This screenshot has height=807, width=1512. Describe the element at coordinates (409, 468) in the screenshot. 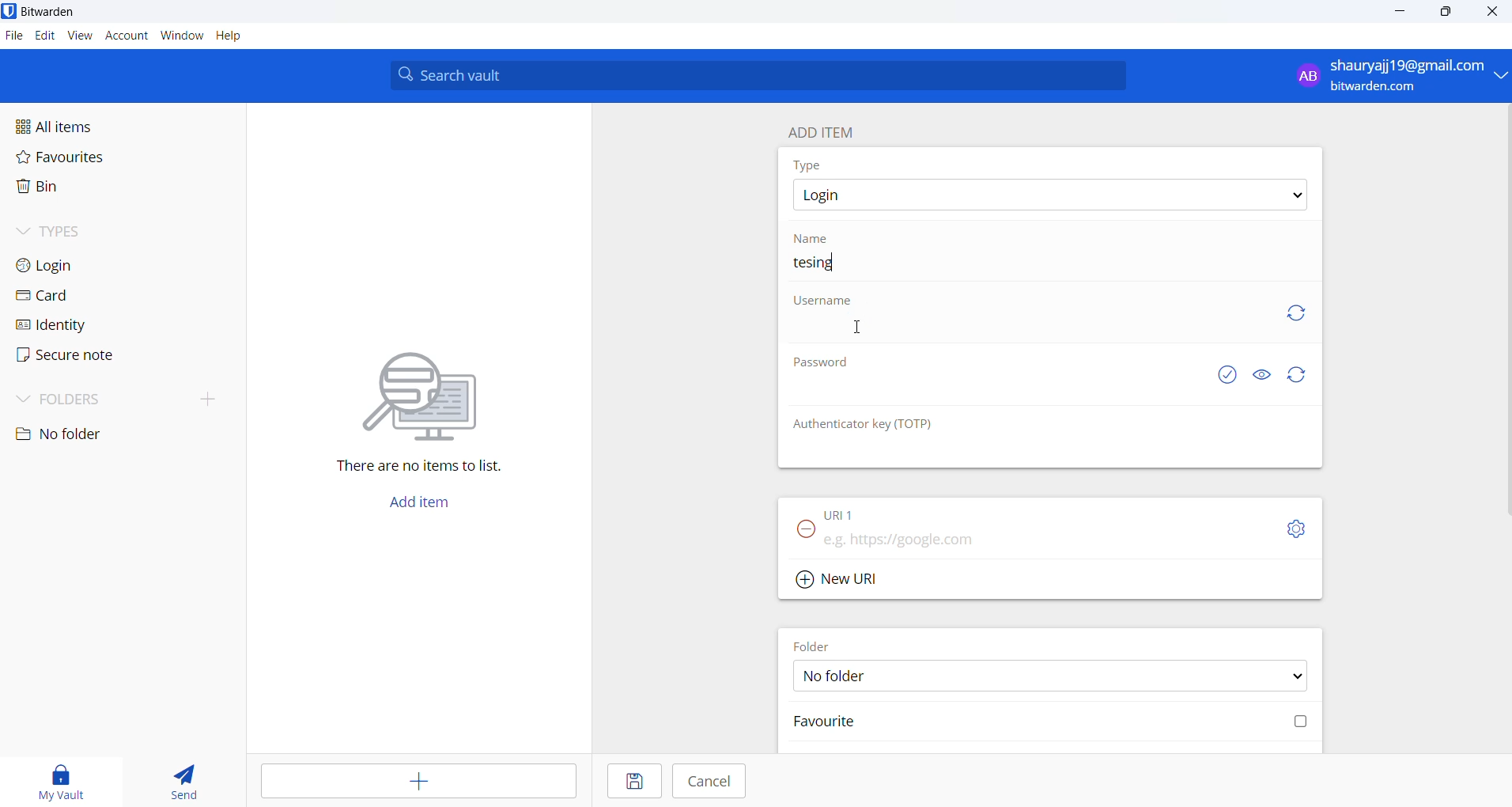

I see `sentence mentioning that there are no items in vault l` at that location.